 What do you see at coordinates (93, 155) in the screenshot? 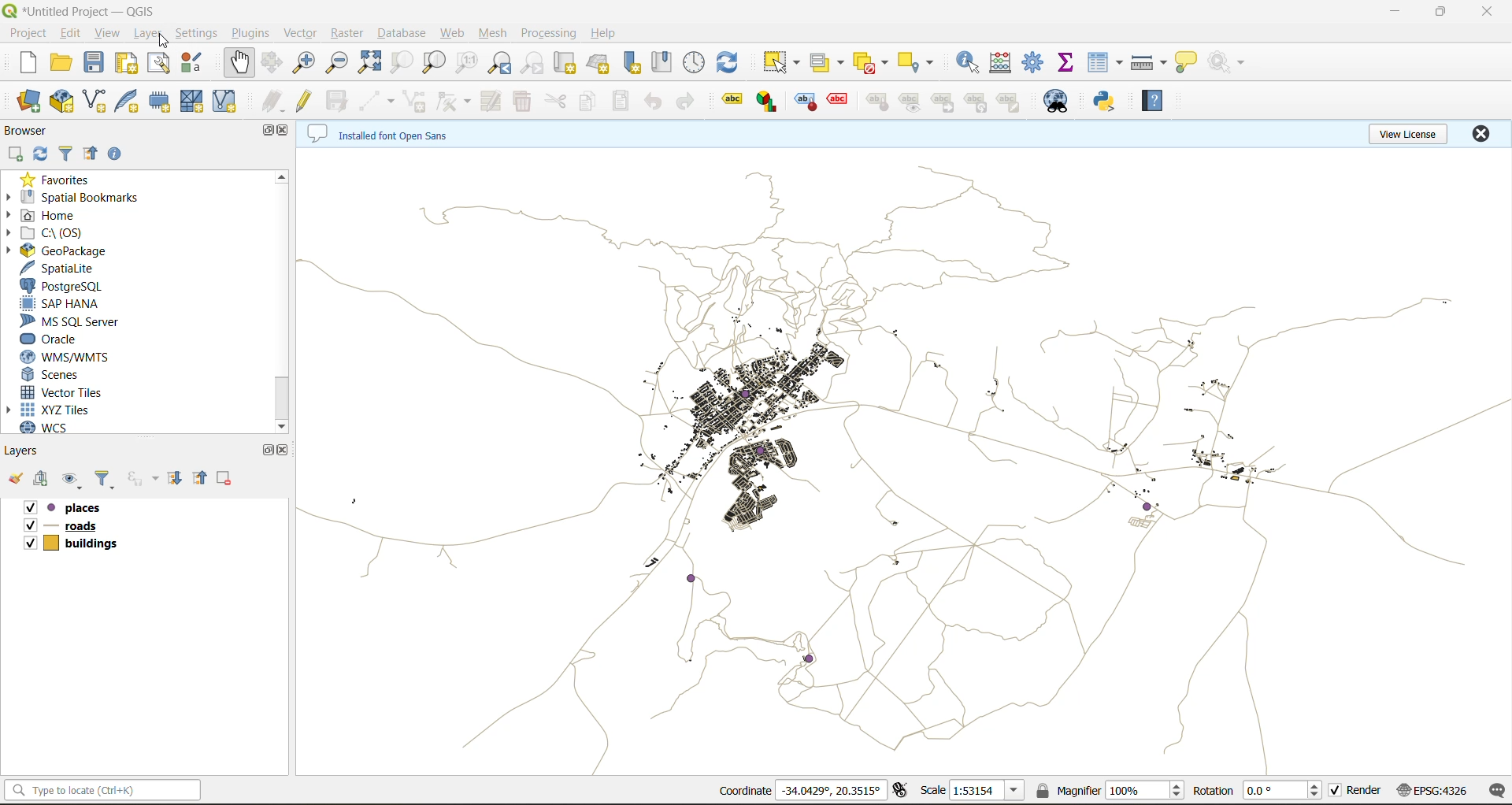
I see `collapse all` at bounding box center [93, 155].